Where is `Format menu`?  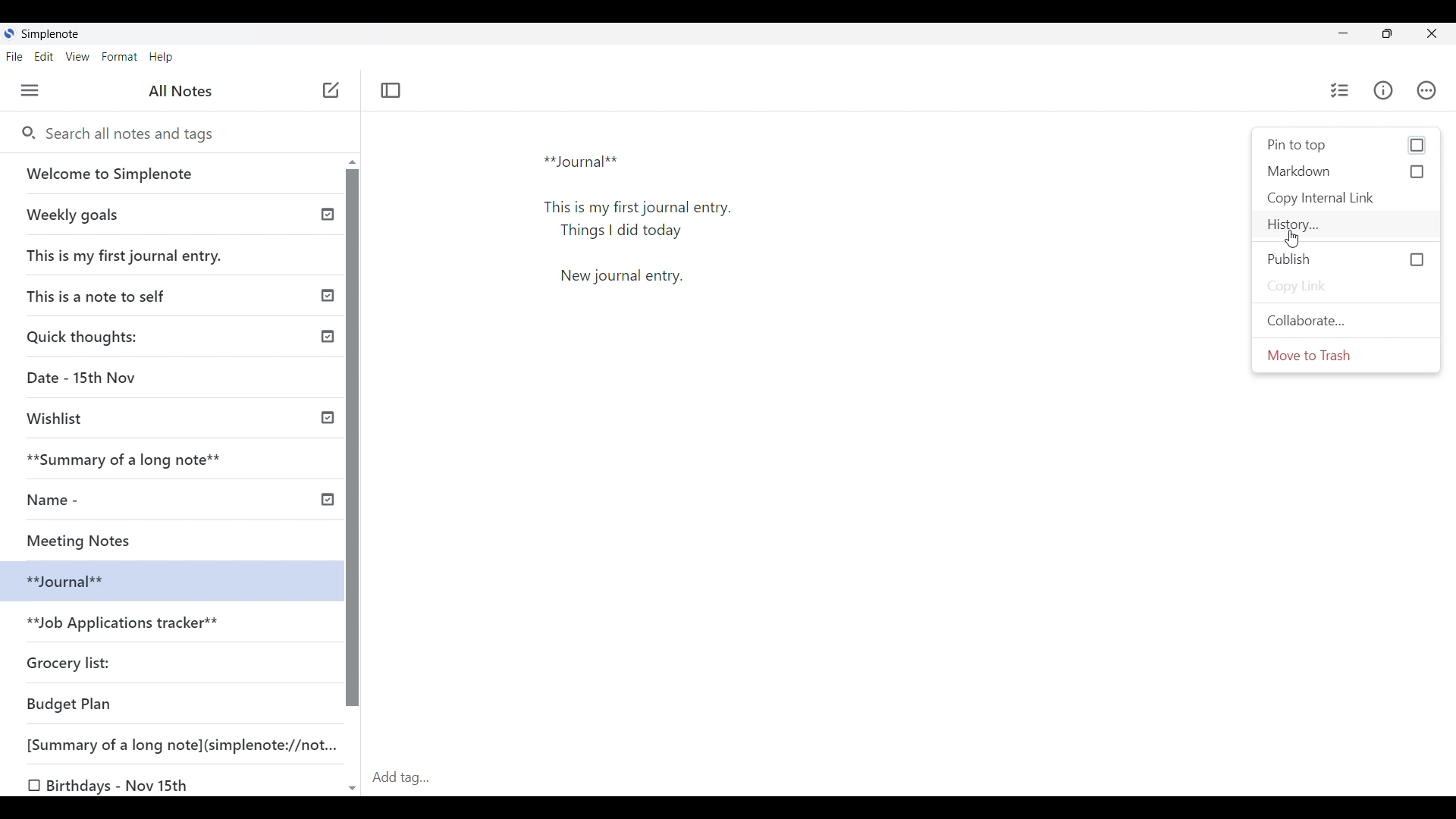
Format menu is located at coordinates (121, 57).